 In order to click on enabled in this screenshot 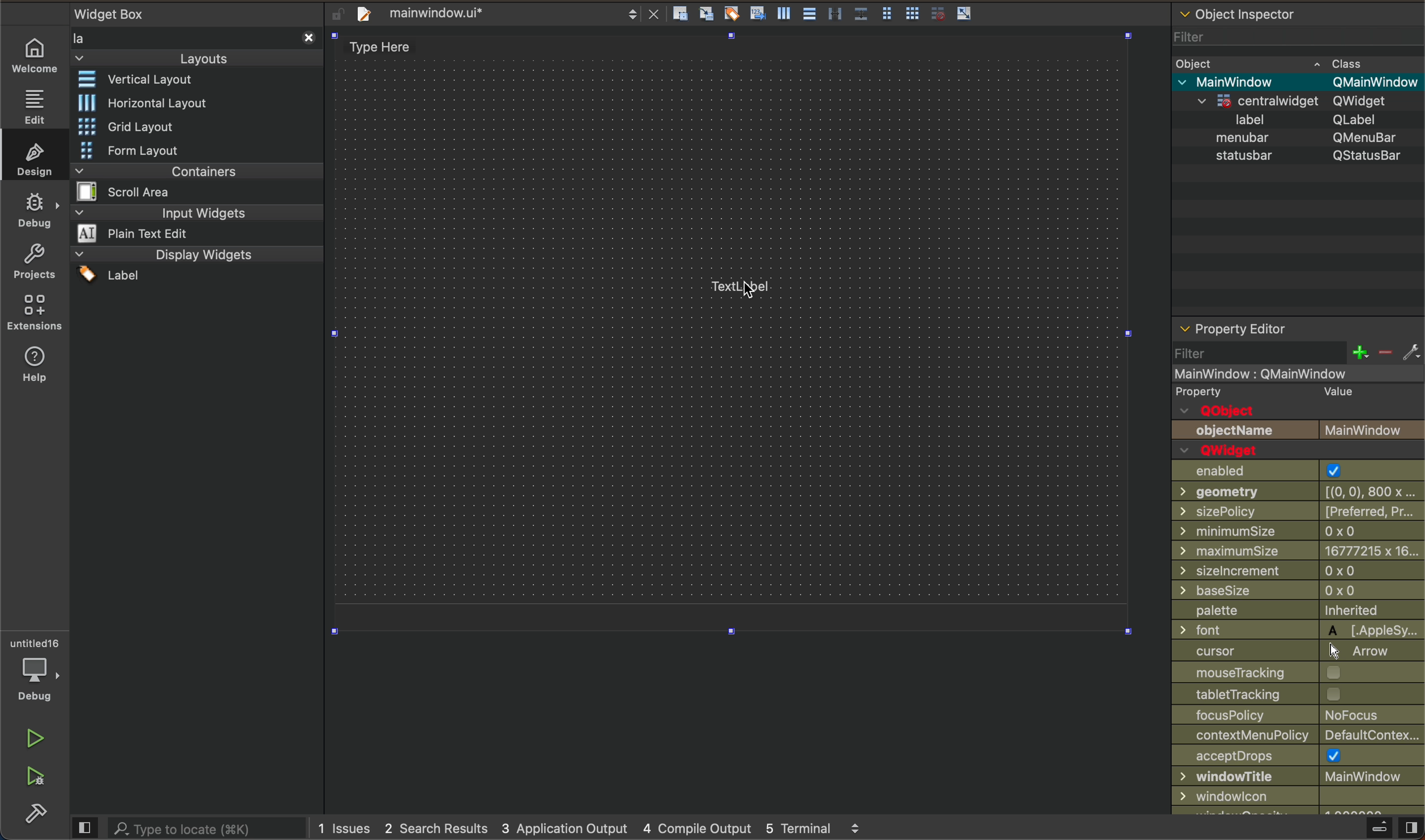, I will do `click(1296, 470)`.